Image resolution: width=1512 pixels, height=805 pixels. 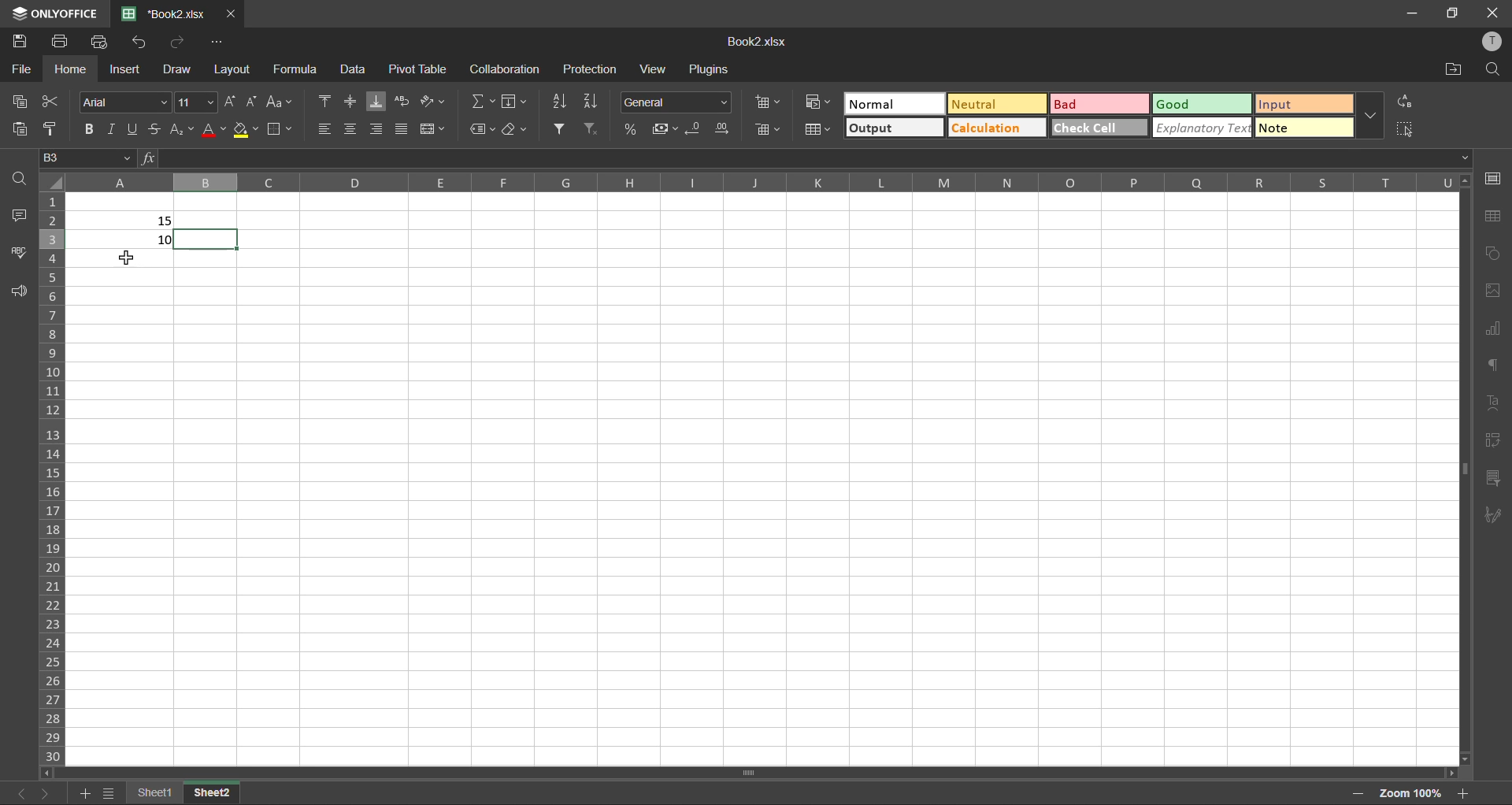 I want to click on book2.xlsx, so click(x=762, y=43).